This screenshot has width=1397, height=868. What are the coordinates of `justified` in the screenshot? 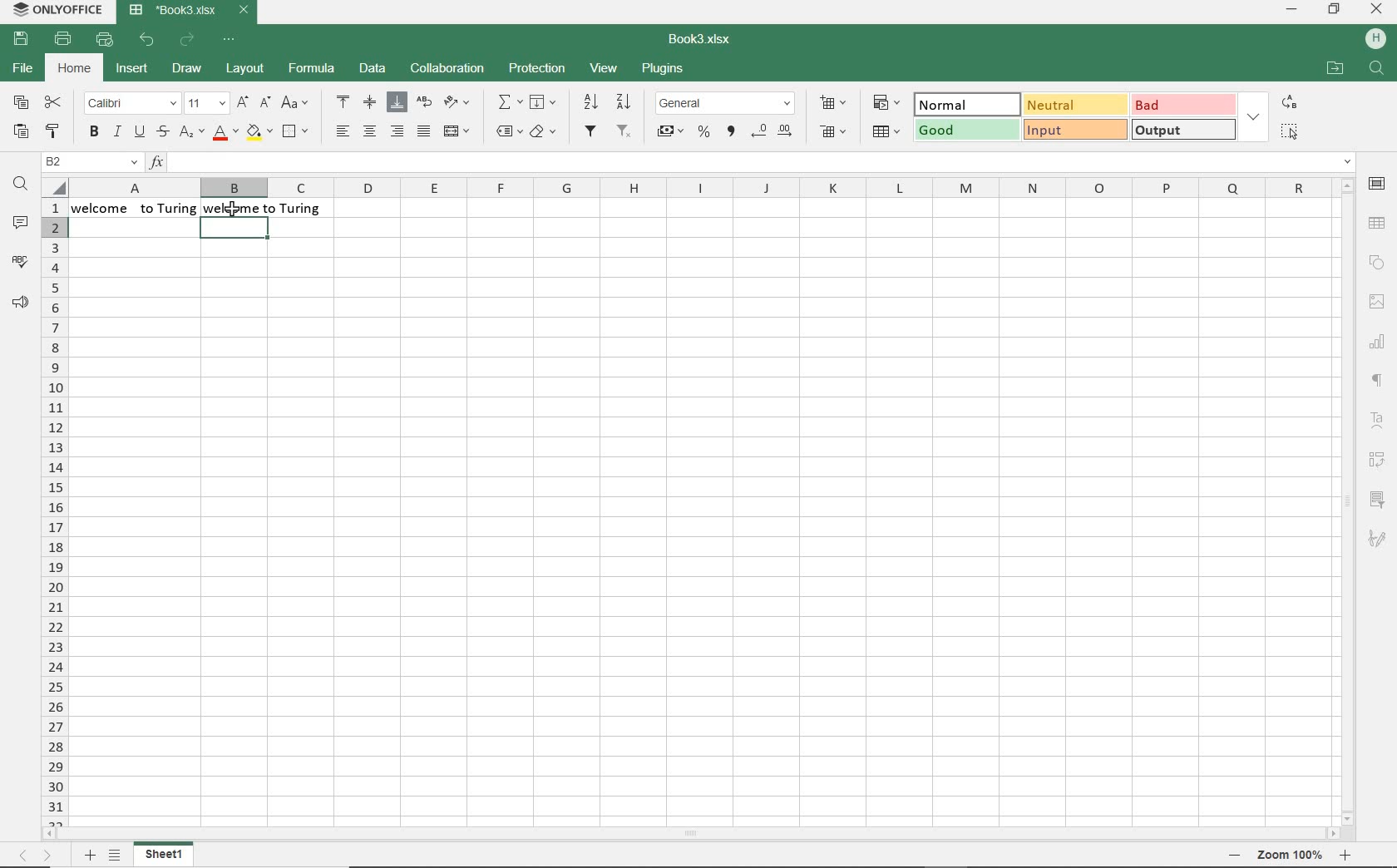 It's located at (423, 131).